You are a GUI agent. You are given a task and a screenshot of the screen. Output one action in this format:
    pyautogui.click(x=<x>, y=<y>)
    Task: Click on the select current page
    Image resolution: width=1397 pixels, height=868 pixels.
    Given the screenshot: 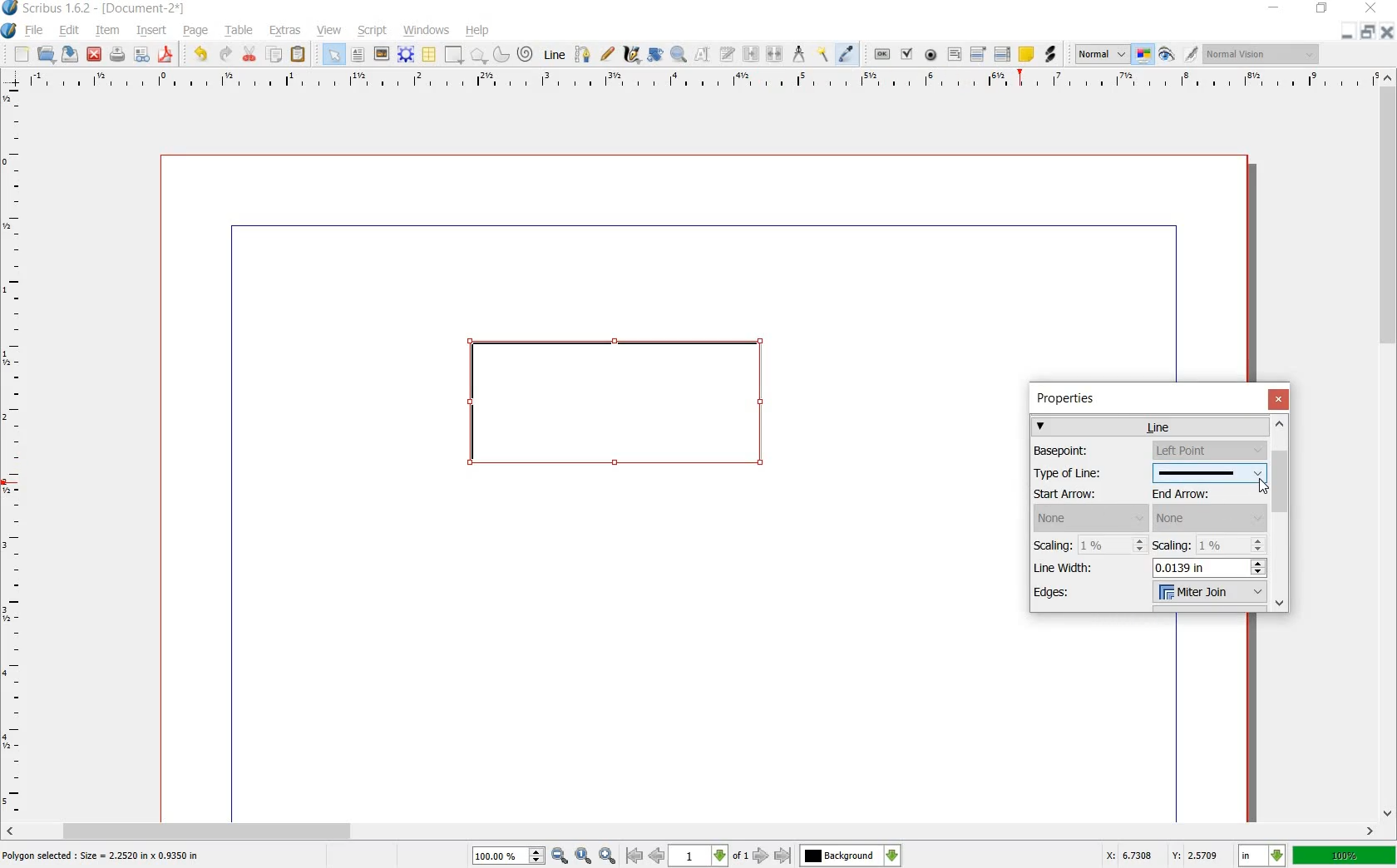 What is the action you would take?
    pyautogui.click(x=708, y=856)
    